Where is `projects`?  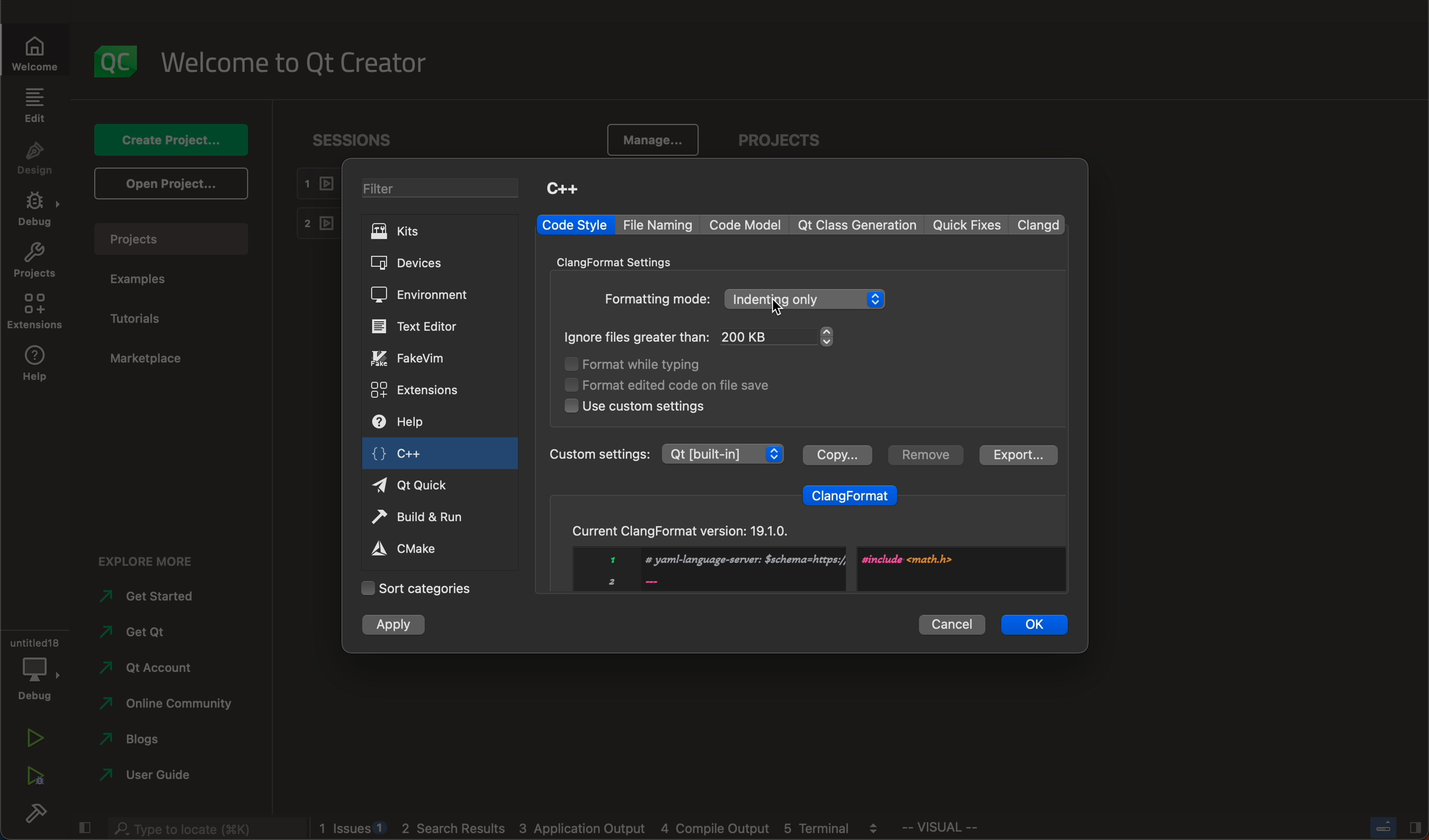
projects is located at coordinates (35, 263).